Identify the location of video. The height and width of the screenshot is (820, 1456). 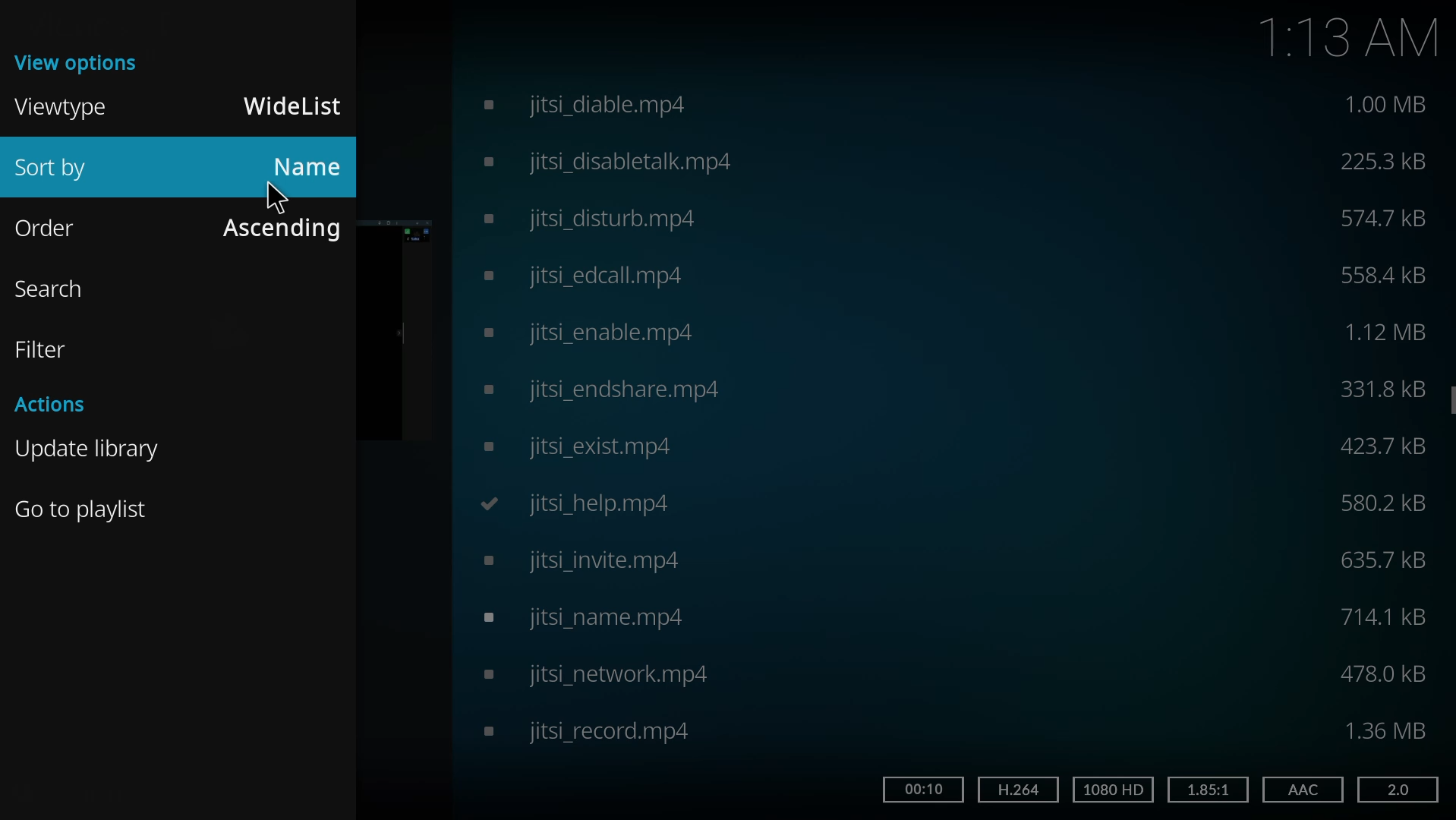
(594, 219).